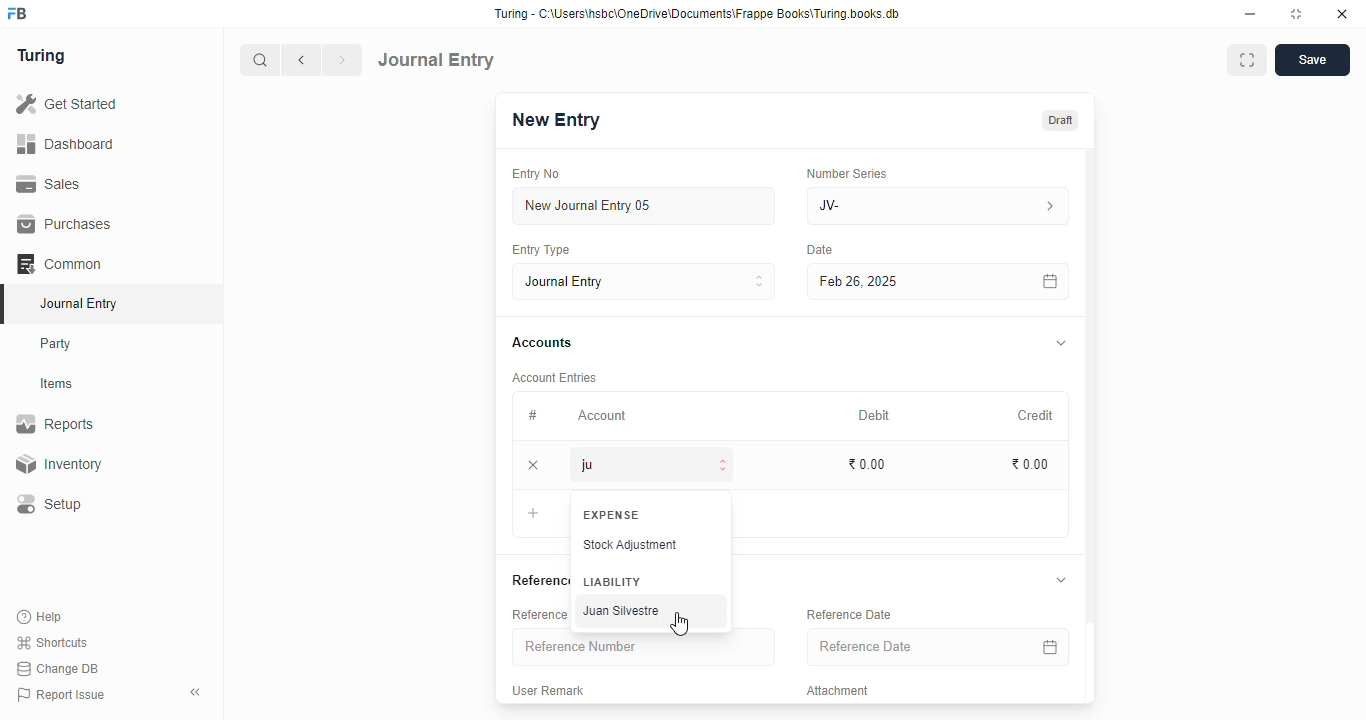 This screenshot has height=720, width=1366. I want to click on calendar icon, so click(1047, 646).